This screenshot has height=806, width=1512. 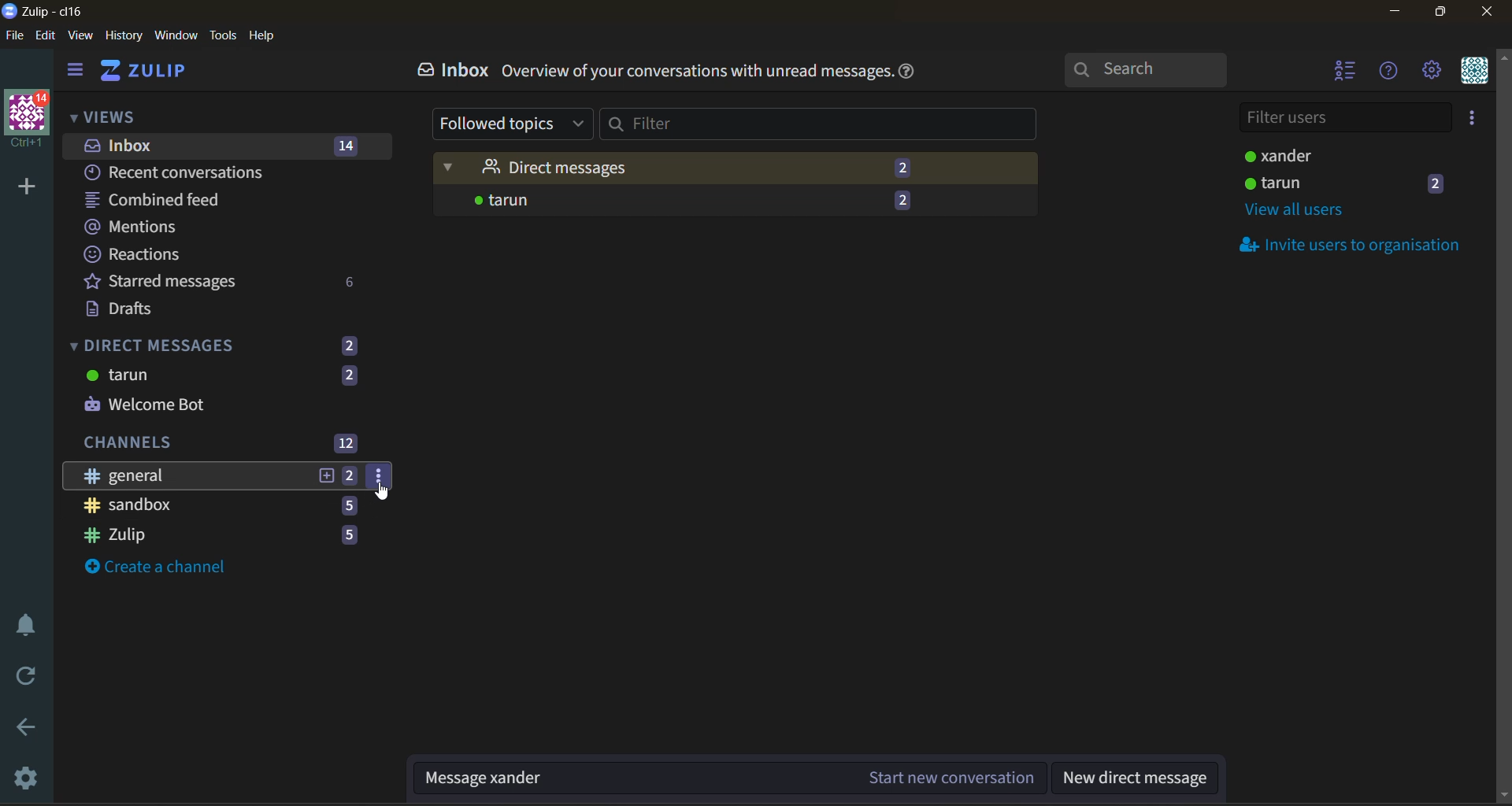 What do you see at coordinates (105, 115) in the screenshot?
I see `views` at bounding box center [105, 115].